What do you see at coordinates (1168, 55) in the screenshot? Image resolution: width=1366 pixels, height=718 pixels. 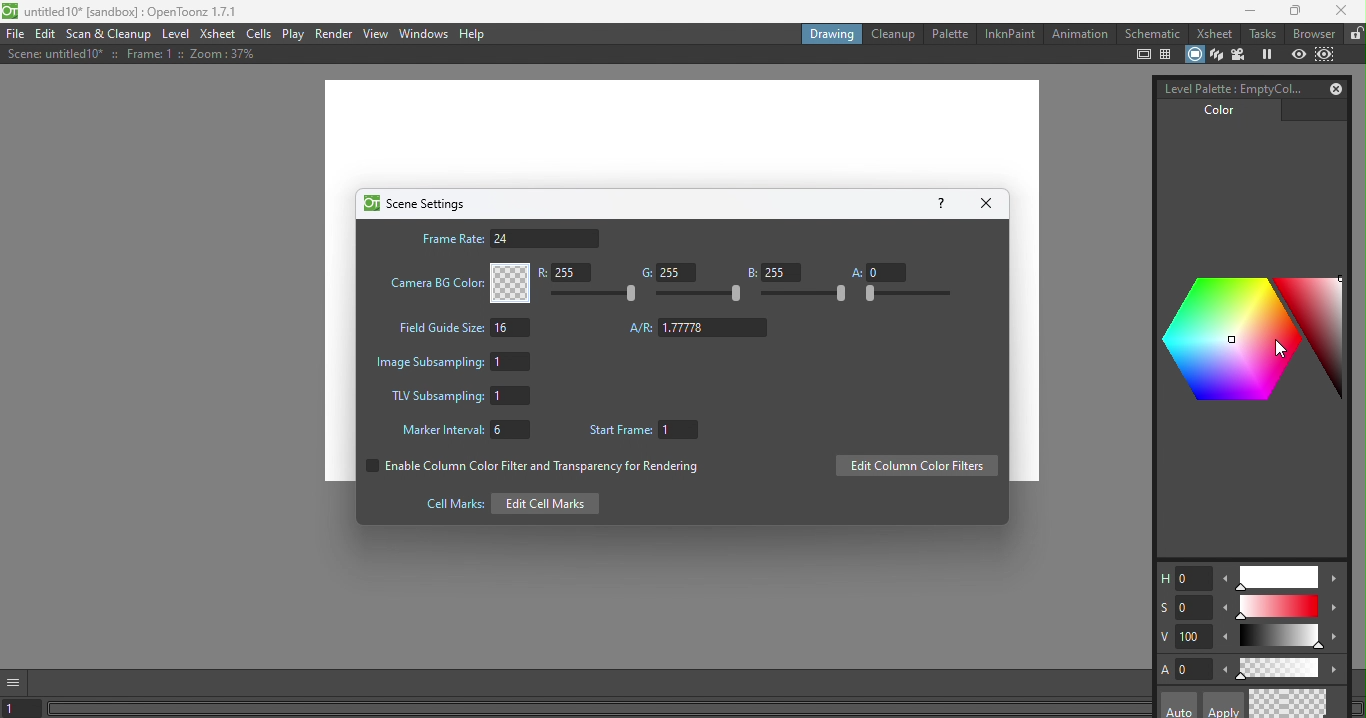 I see `Field guide` at bounding box center [1168, 55].